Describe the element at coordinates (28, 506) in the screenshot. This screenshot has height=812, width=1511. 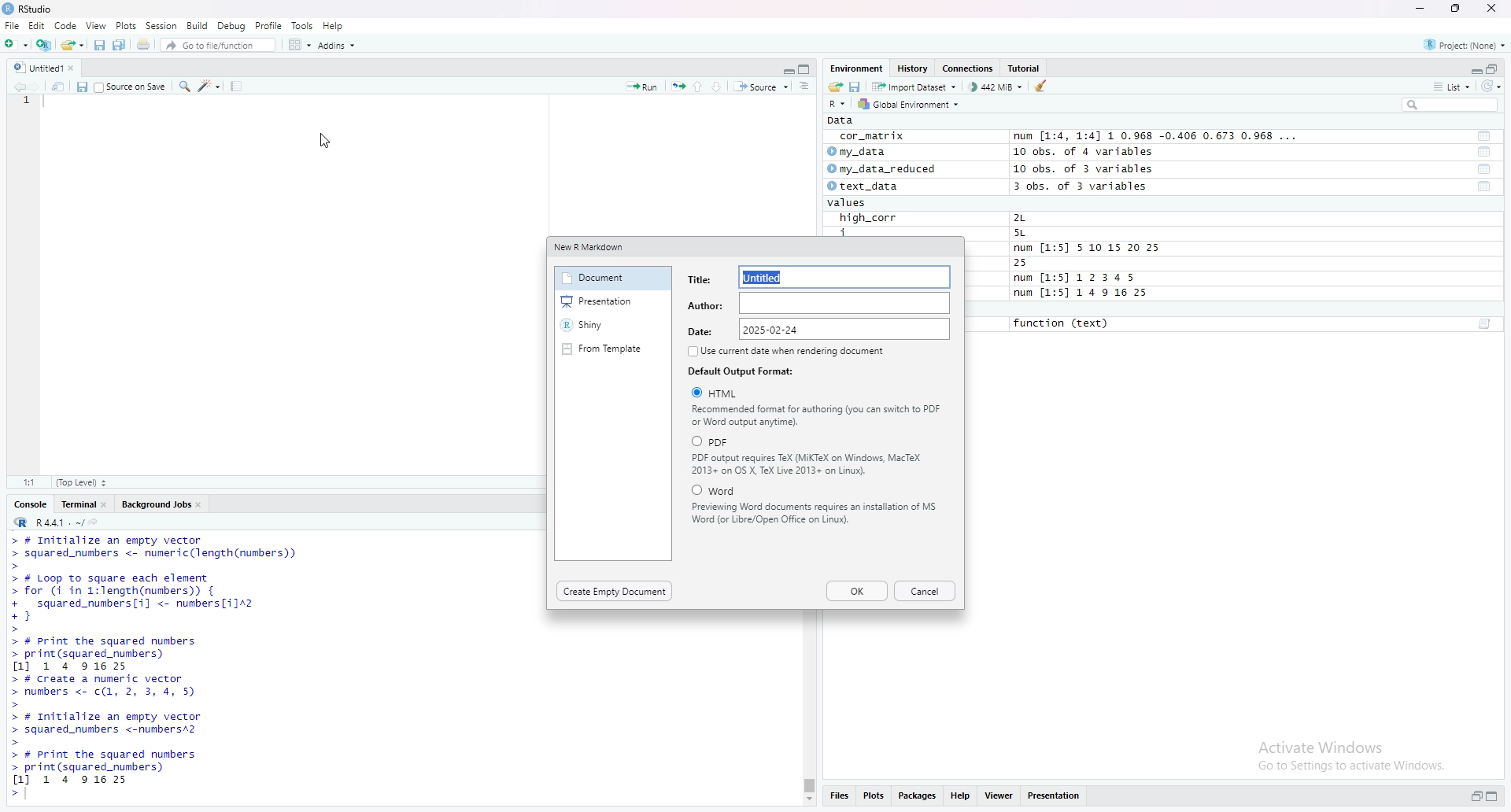
I see `console` at that location.